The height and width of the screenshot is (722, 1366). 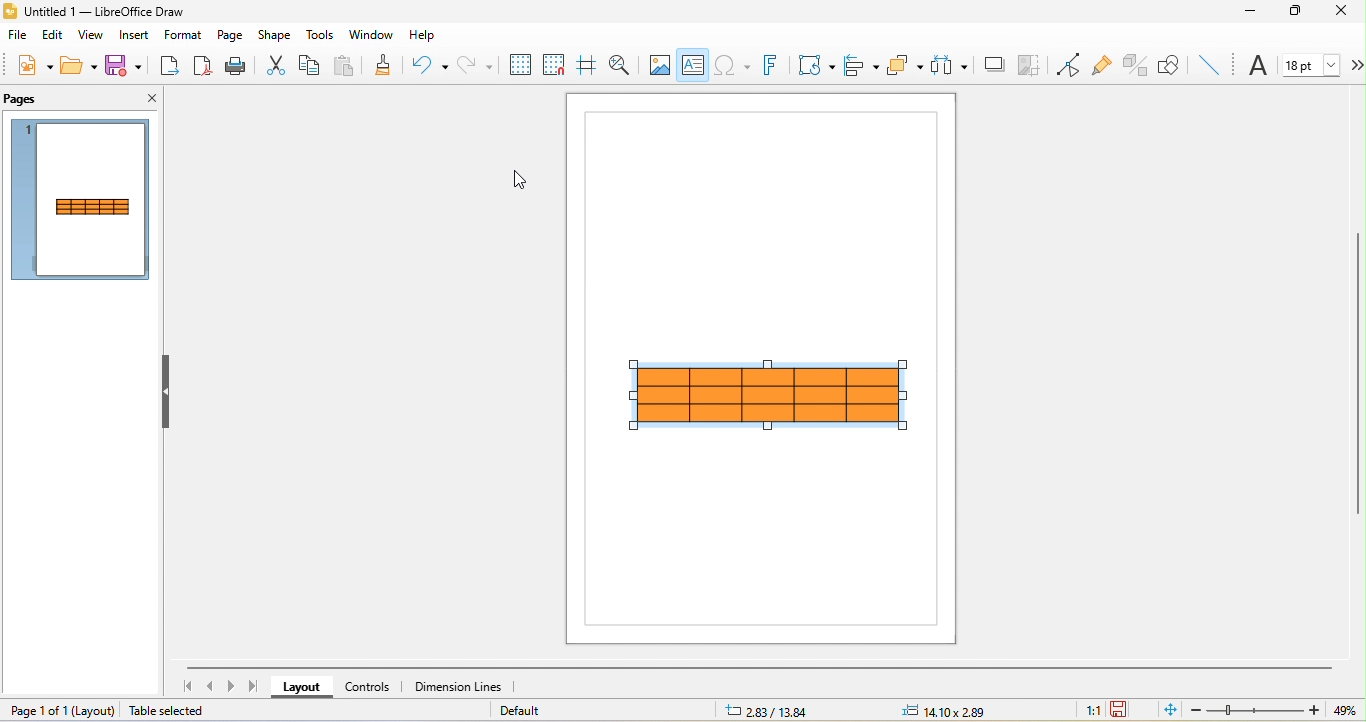 I want to click on default, so click(x=542, y=710).